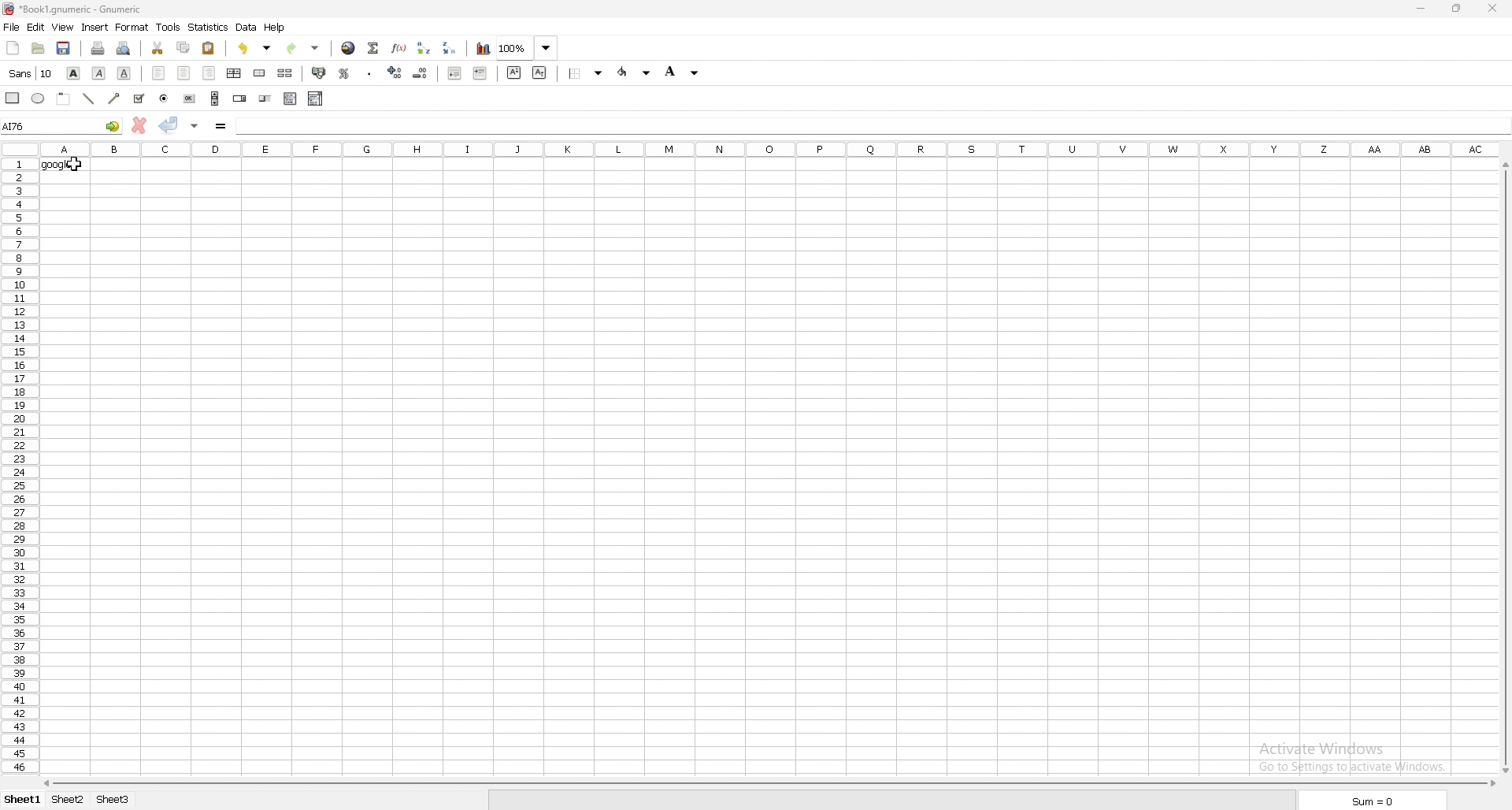 The image size is (1512, 810). I want to click on spin button, so click(239, 98).